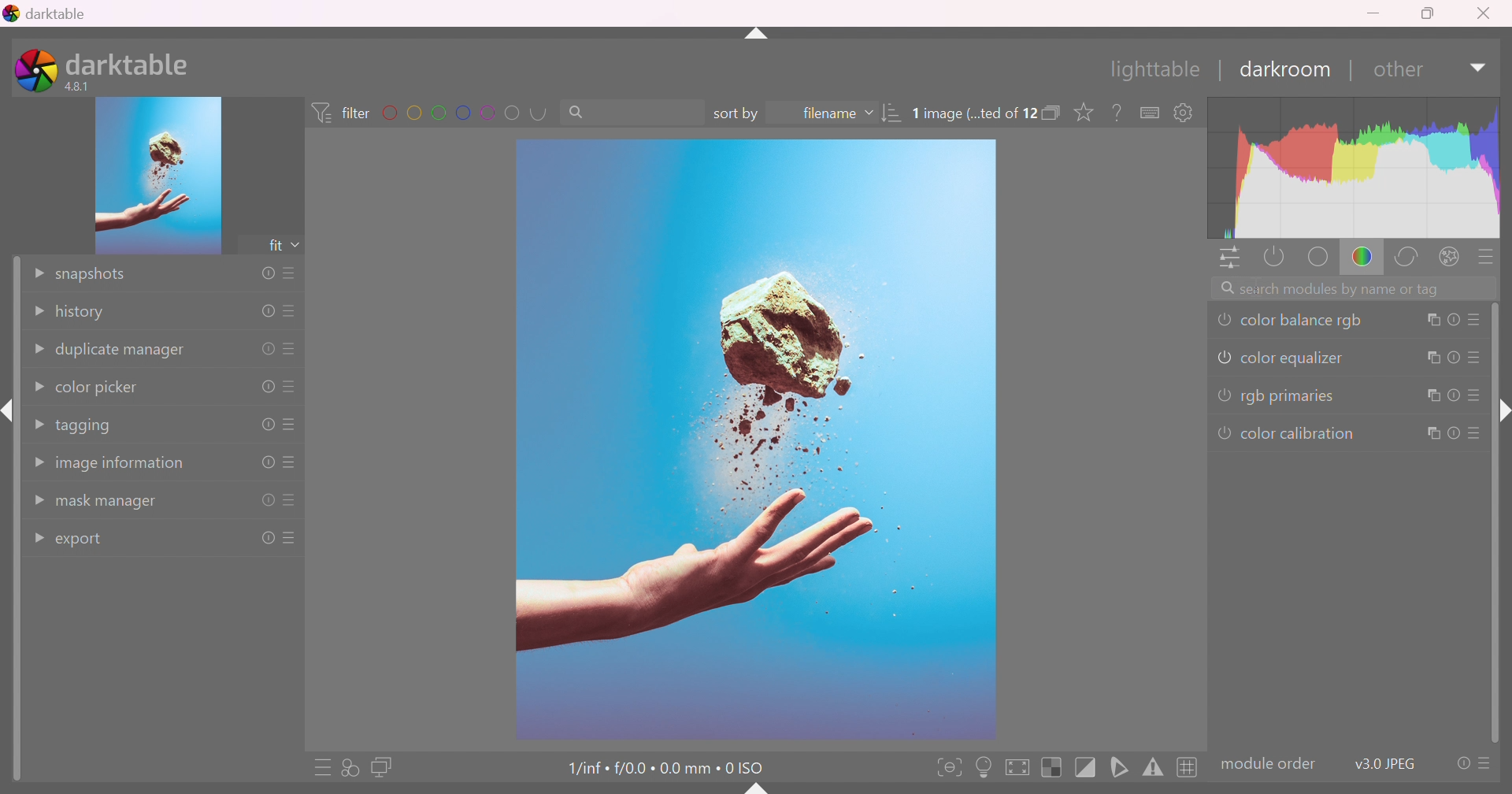 This screenshot has width=1512, height=794. Describe the element at coordinates (50, 13) in the screenshot. I see `darktable` at that location.